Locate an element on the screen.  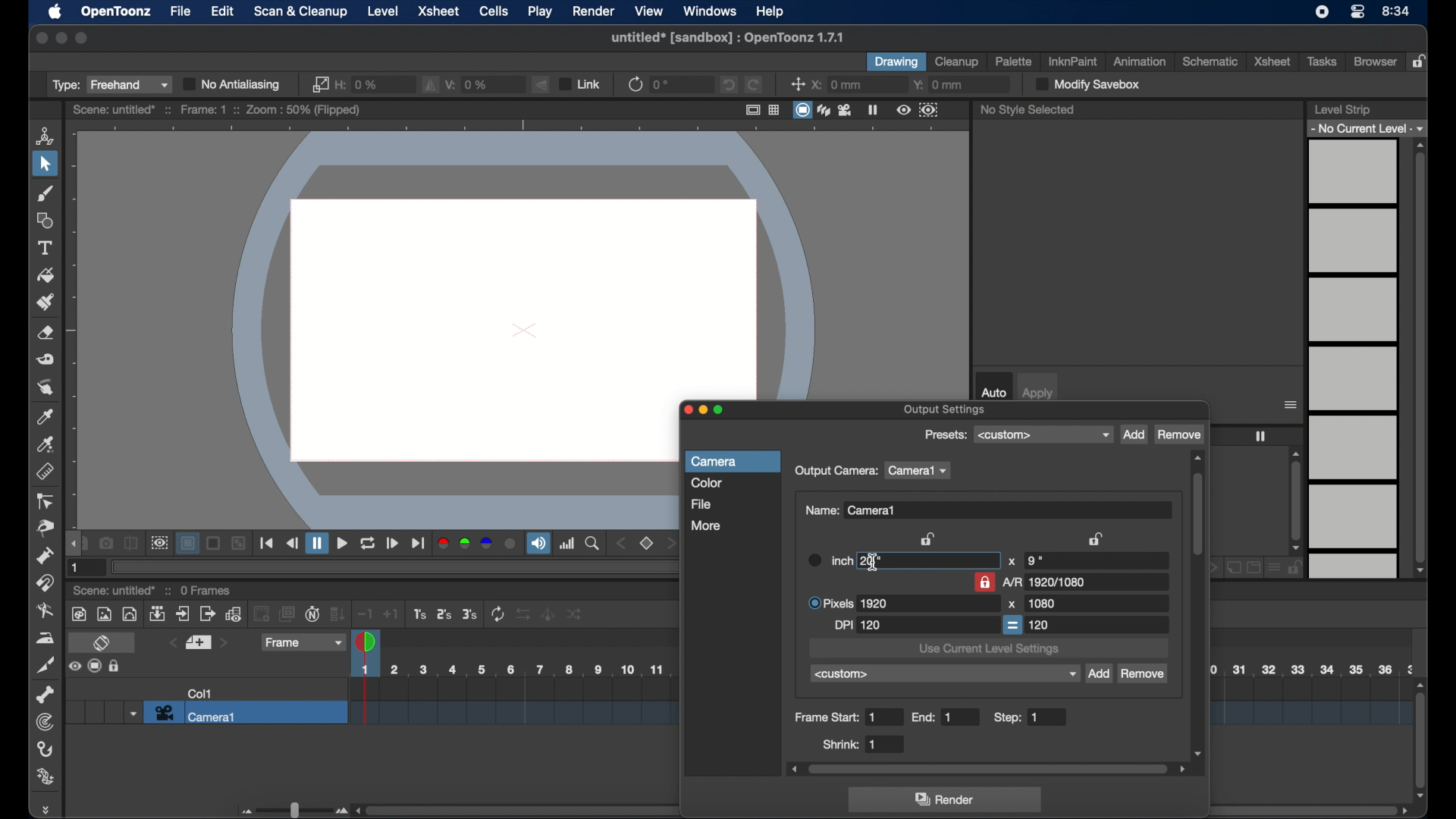
 is located at coordinates (132, 614).